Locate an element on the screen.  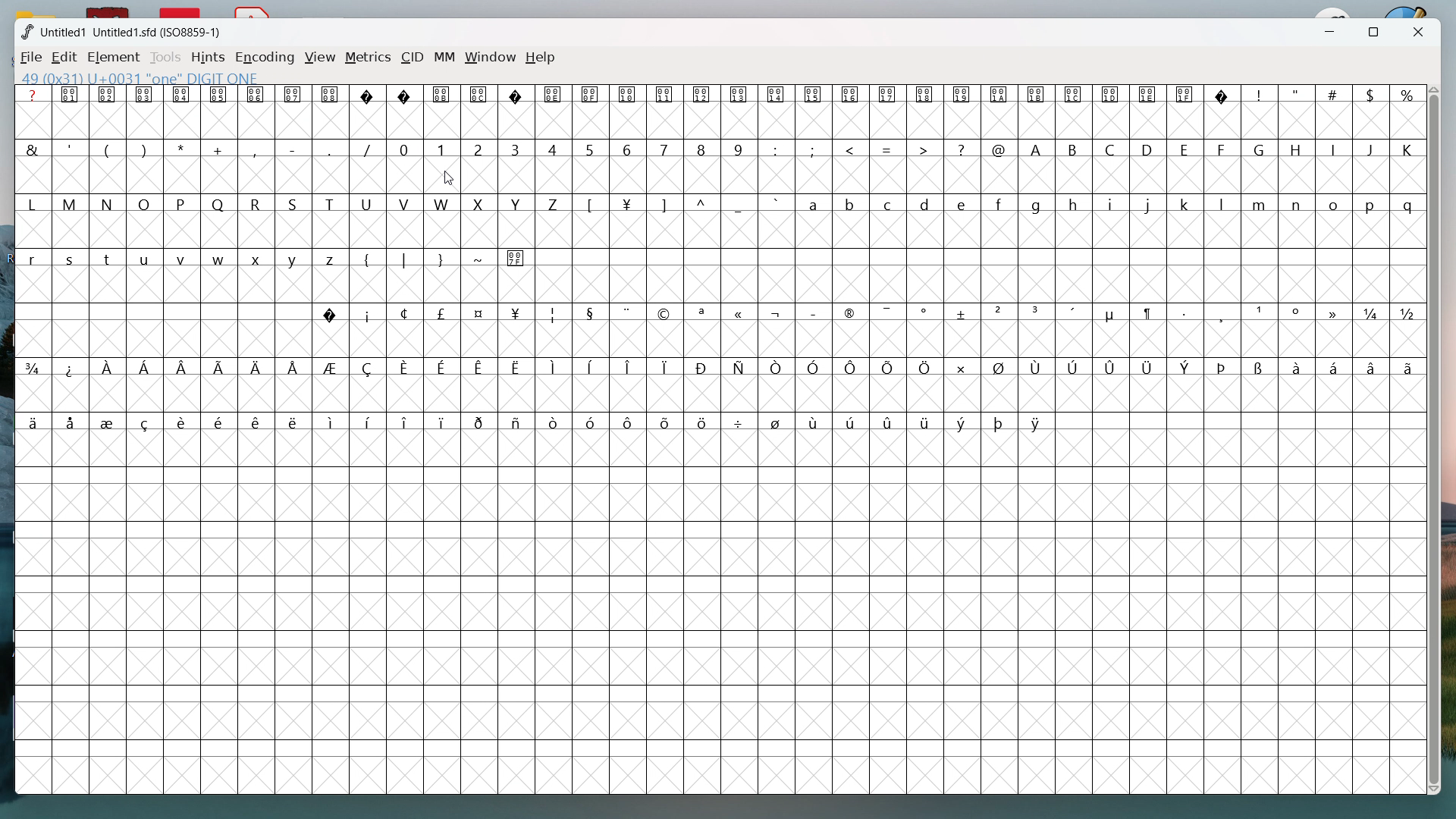
9 is located at coordinates (739, 149).